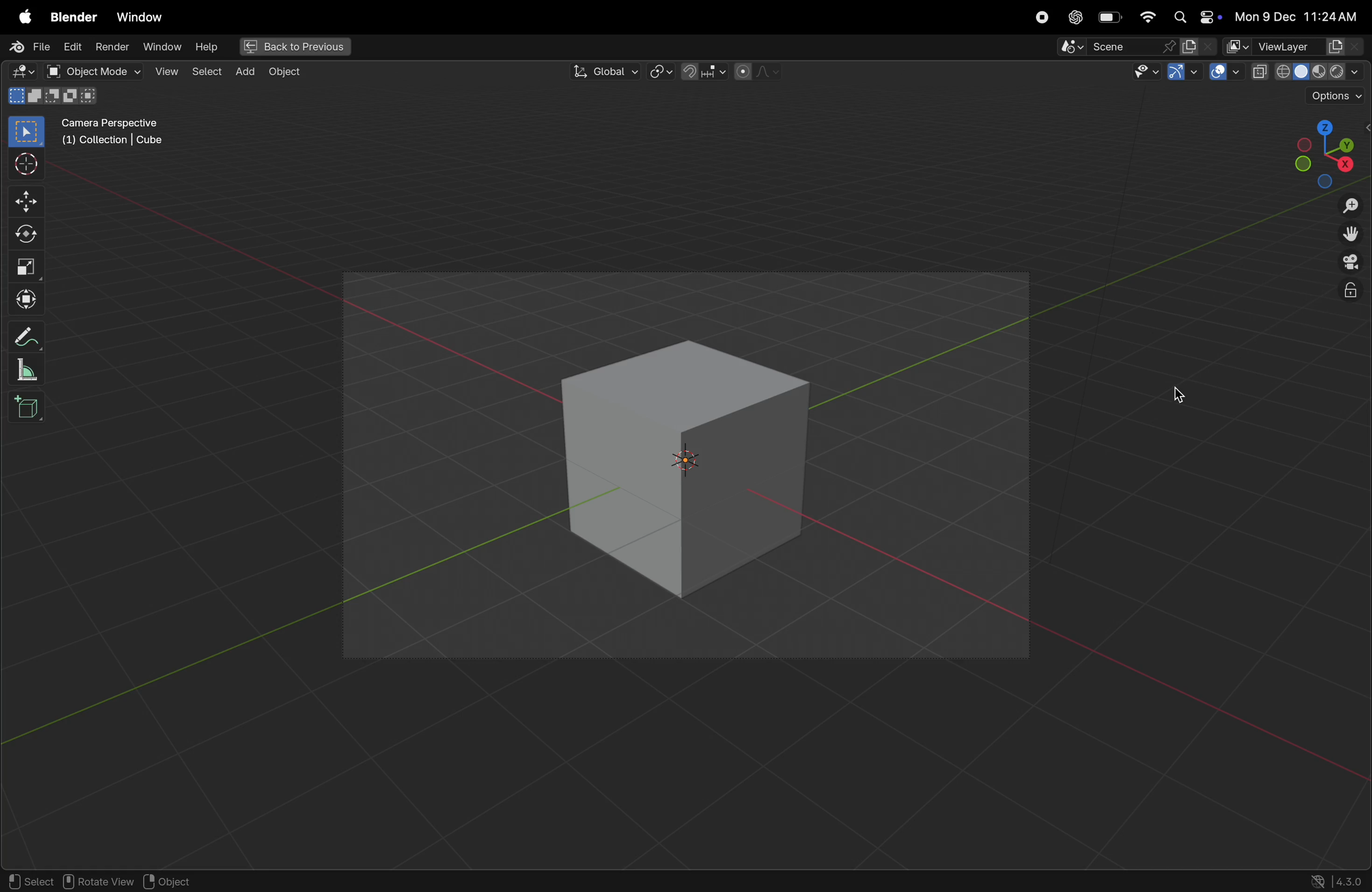 The height and width of the screenshot is (892, 1372). Describe the element at coordinates (1141, 73) in the screenshot. I see `visibility` at that location.